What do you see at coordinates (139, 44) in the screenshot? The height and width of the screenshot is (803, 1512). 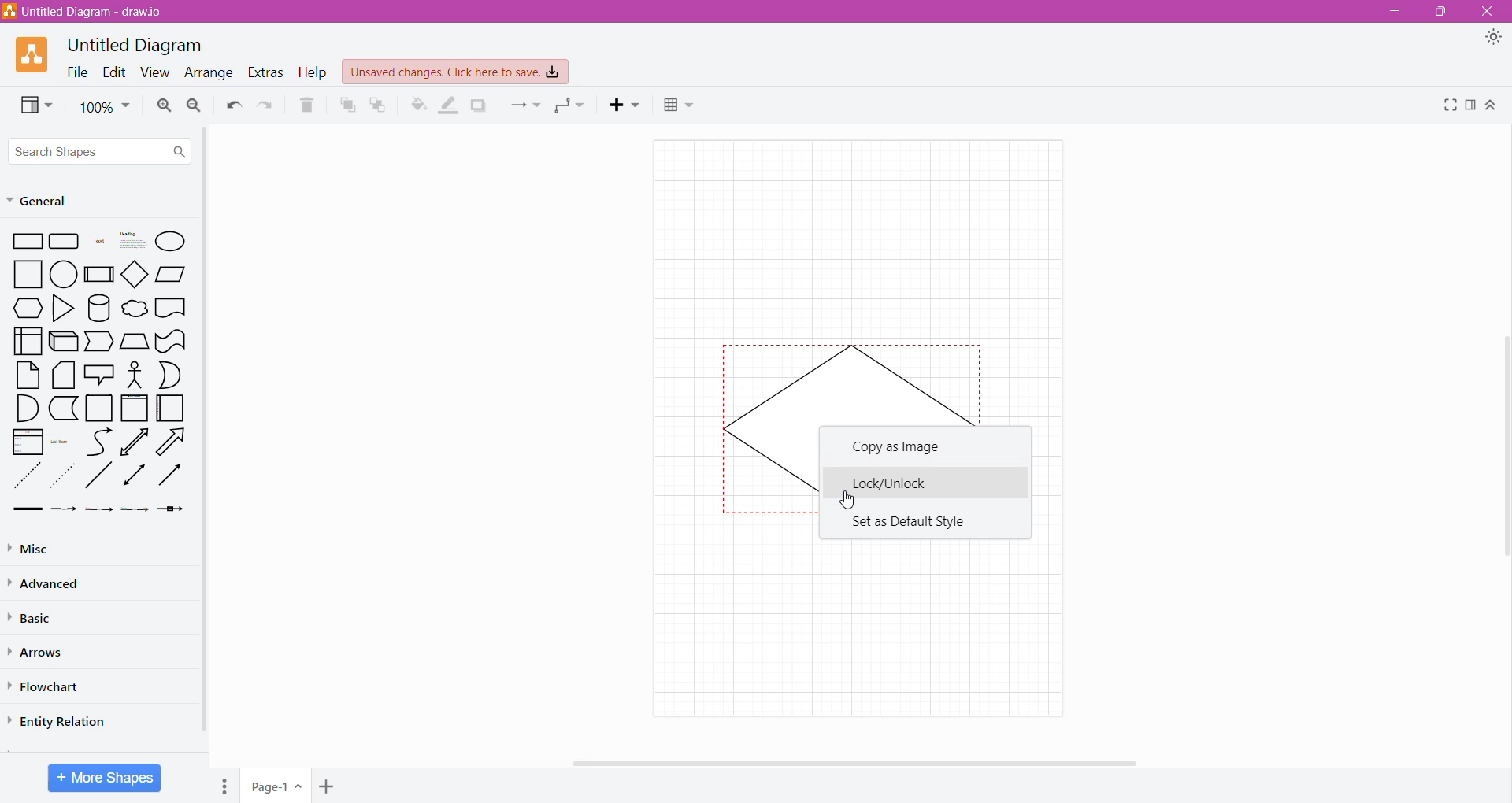 I see `Untitled Diagram` at bounding box center [139, 44].